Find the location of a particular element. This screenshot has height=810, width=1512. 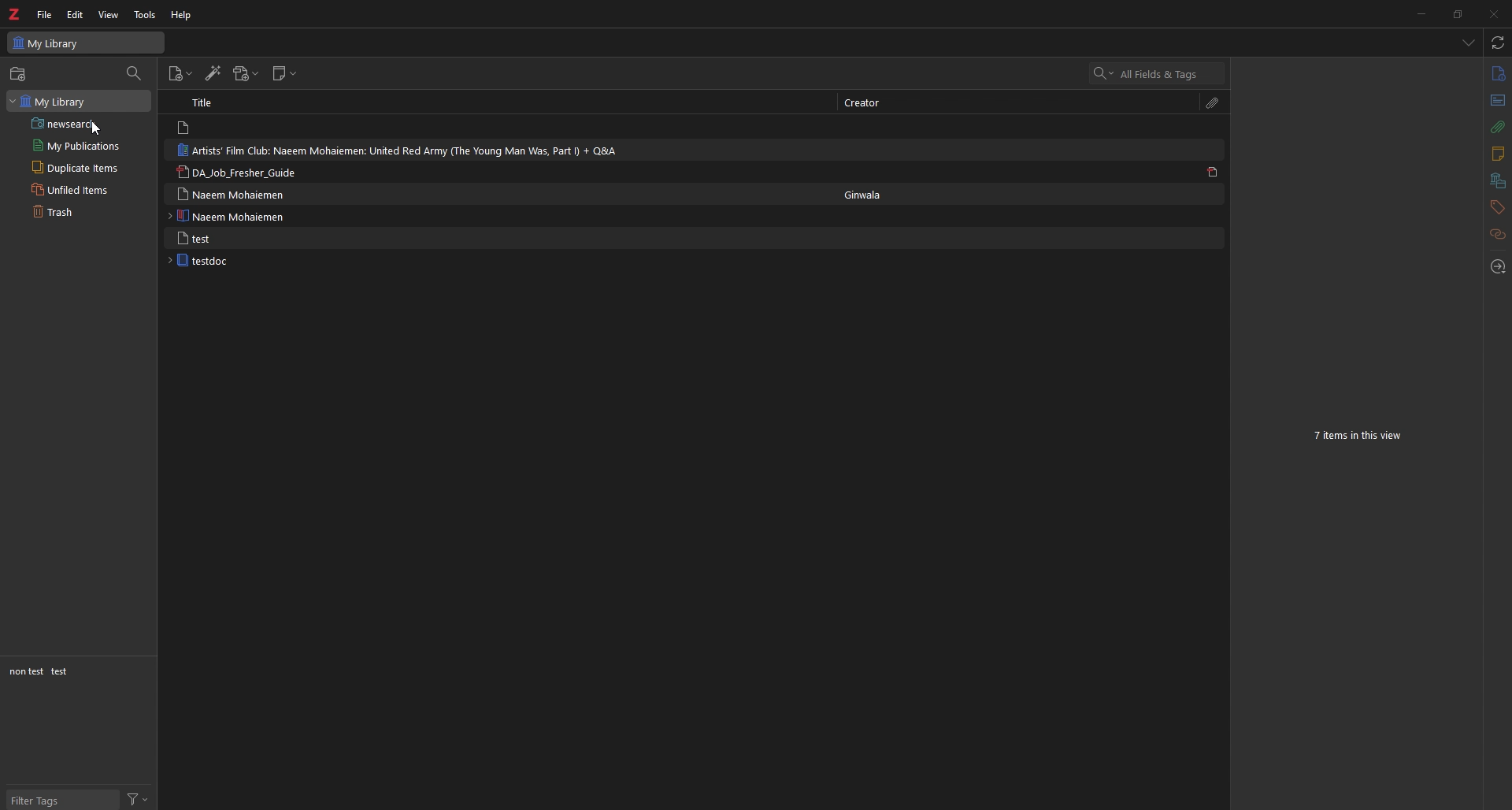

test is located at coordinates (59, 673).